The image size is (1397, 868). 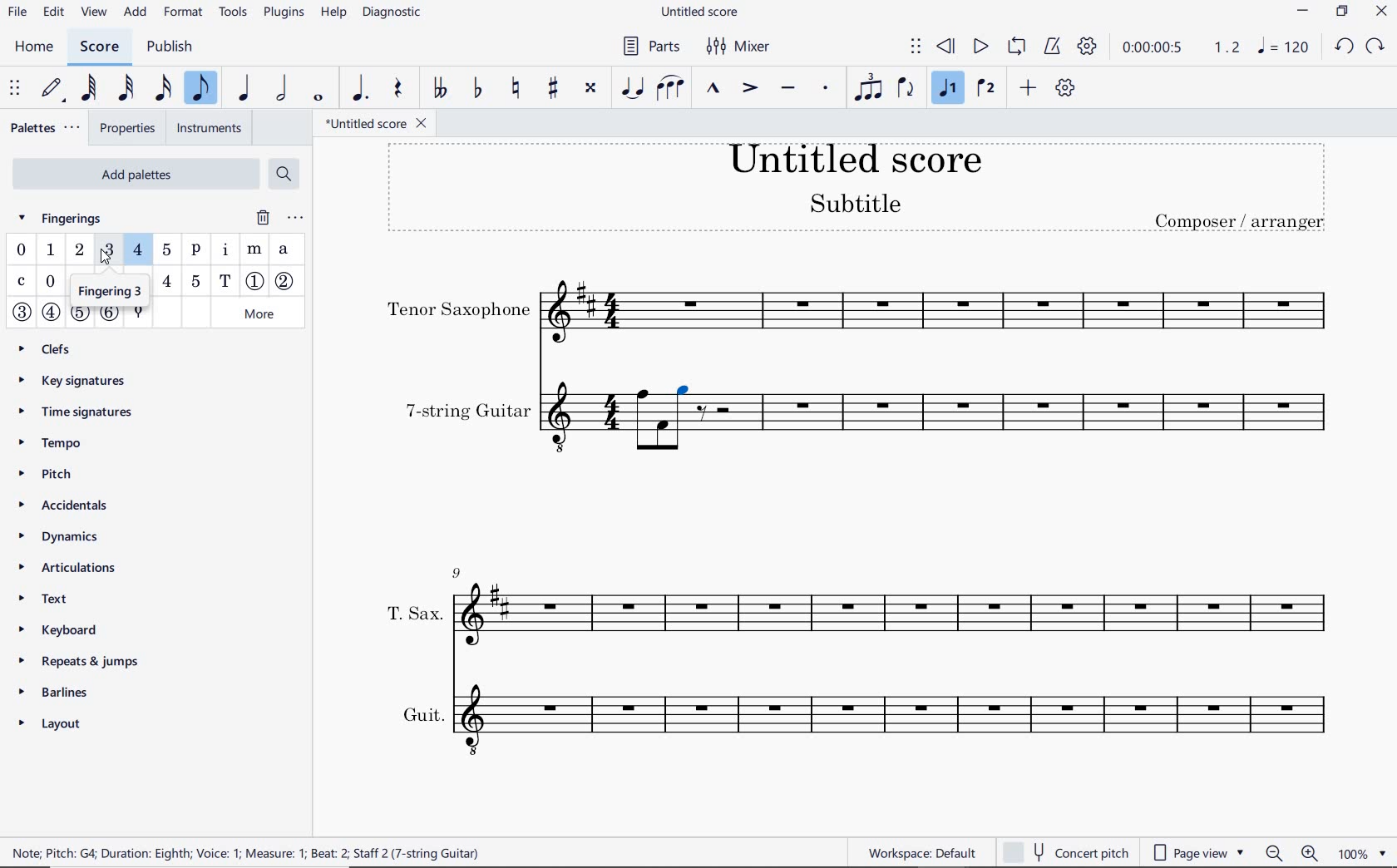 I want to click on delete, so click(x=262, y=218).